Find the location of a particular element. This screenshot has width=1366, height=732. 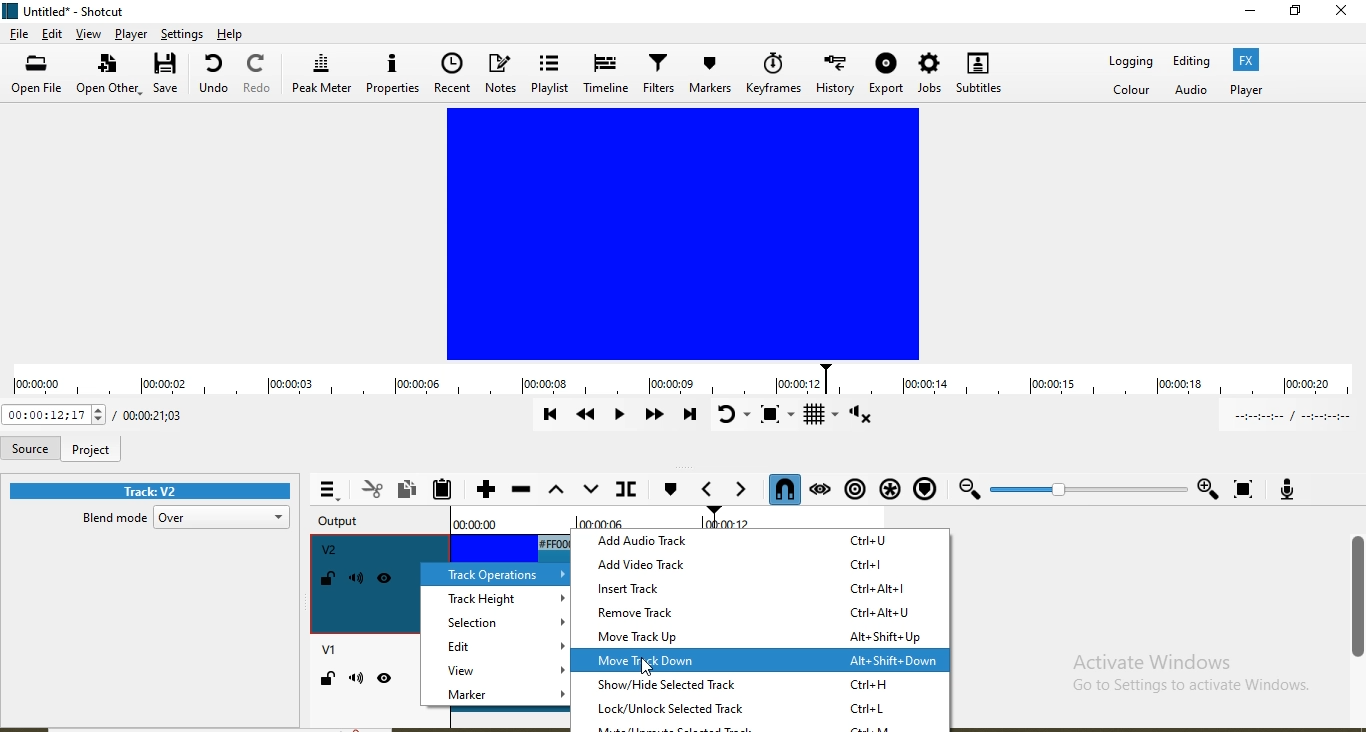

Cursor is located at coordinates (641, 667).